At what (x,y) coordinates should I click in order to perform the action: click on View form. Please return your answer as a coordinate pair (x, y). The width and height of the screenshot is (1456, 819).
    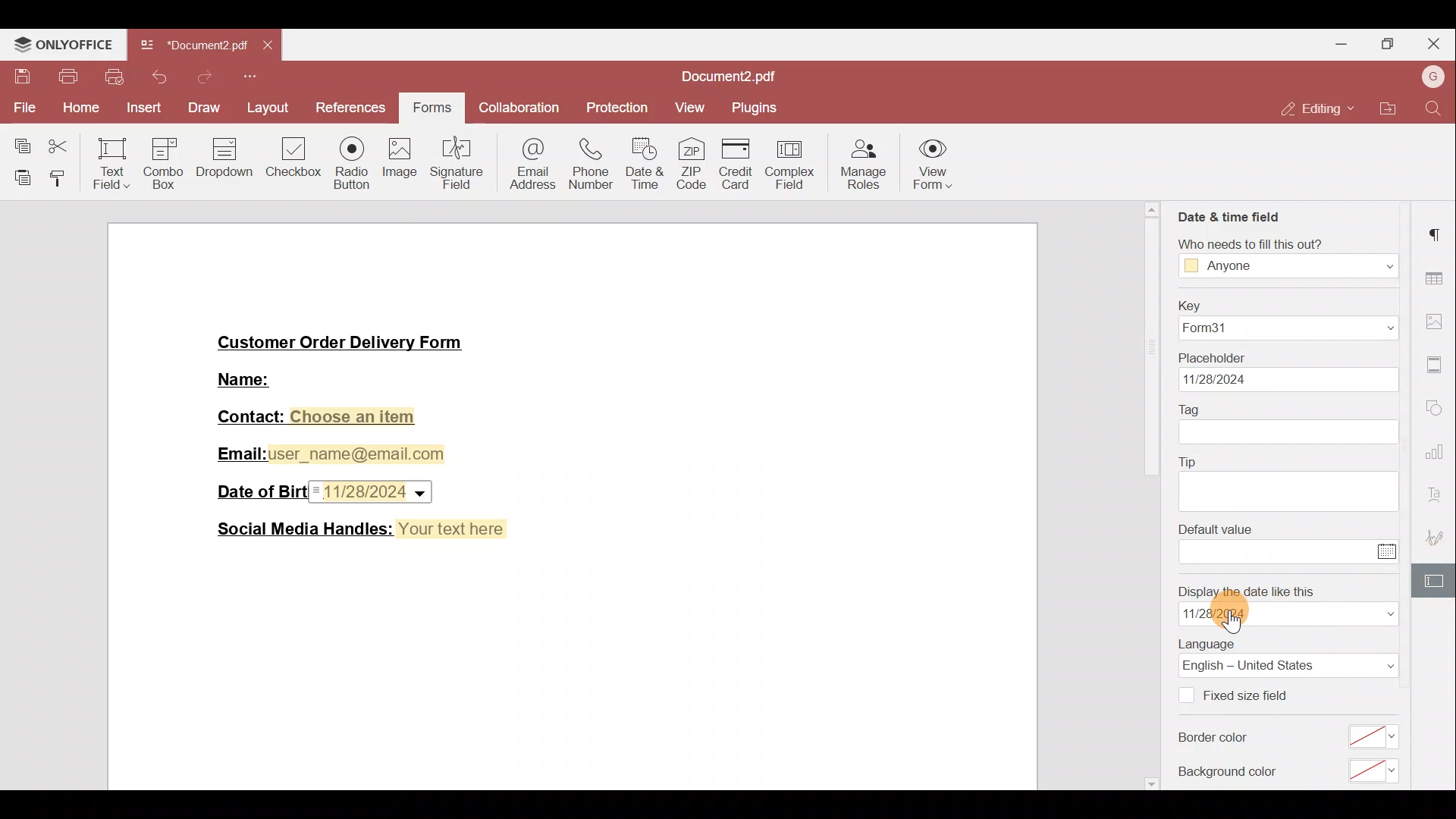
    Looking at the image, I should click on (930, 168).